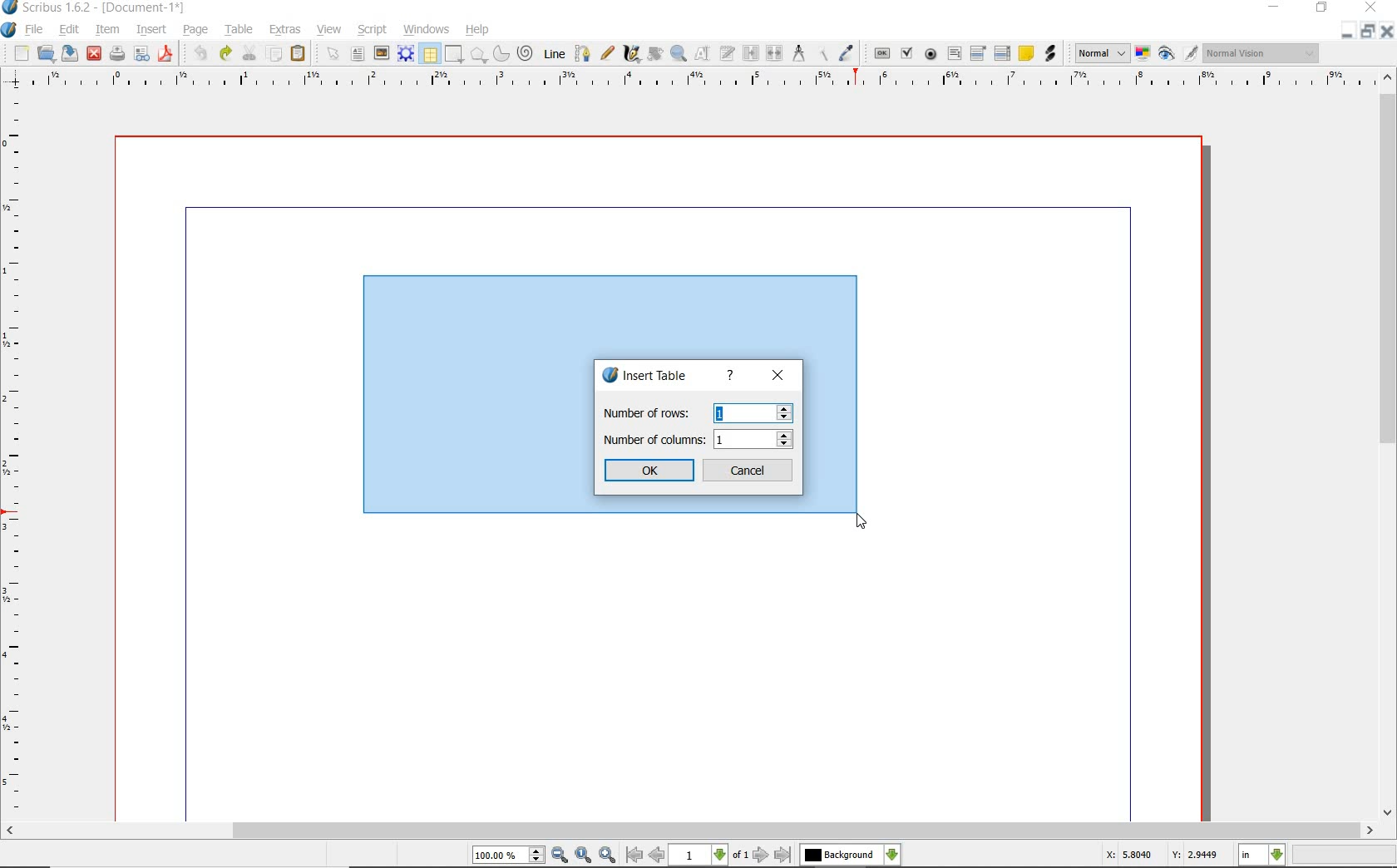  Describe the element at coordinates (165, 53) in the screenshot. I see `save as pdf` at that location.